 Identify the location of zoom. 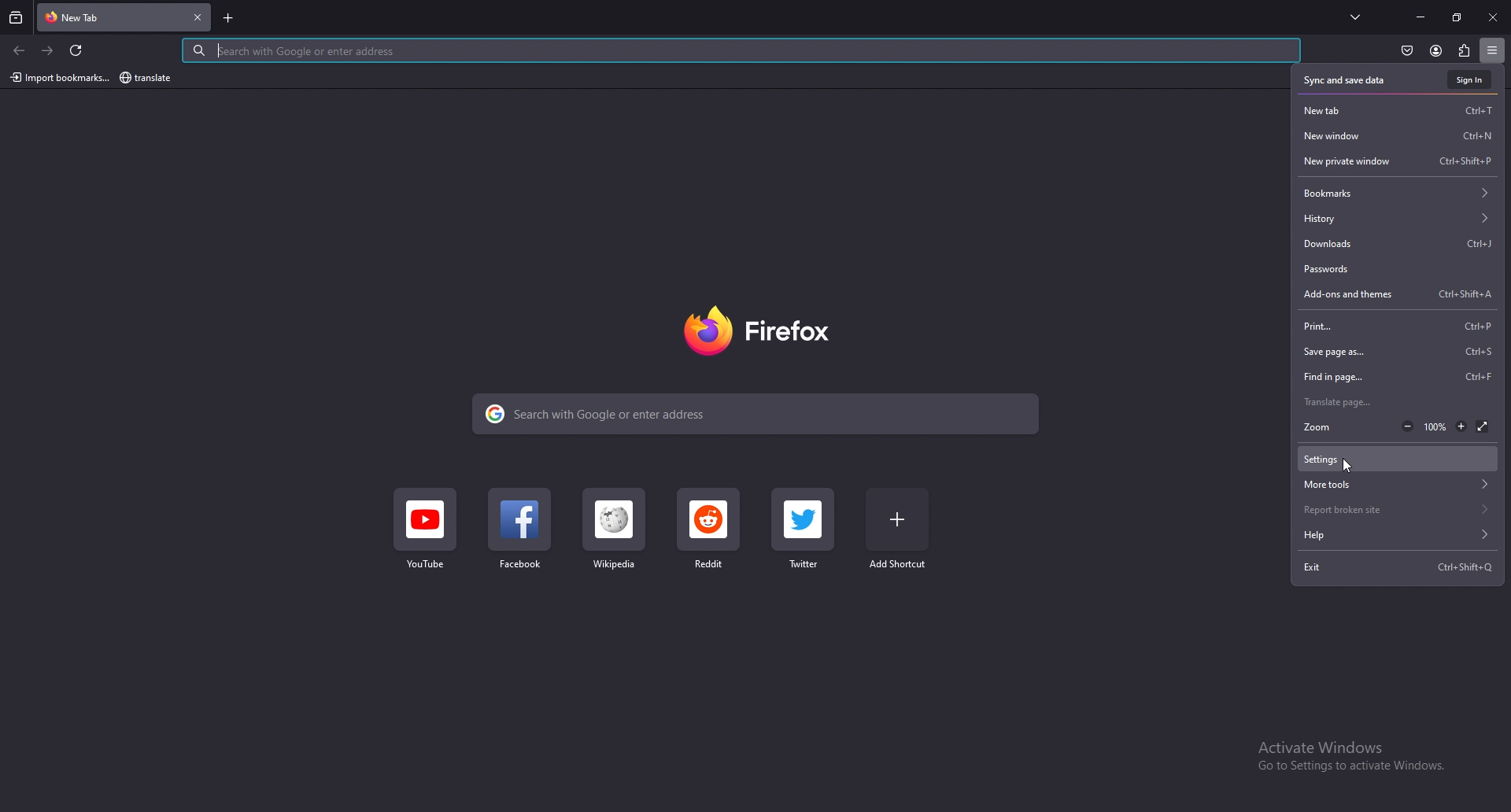
(1330, 427).